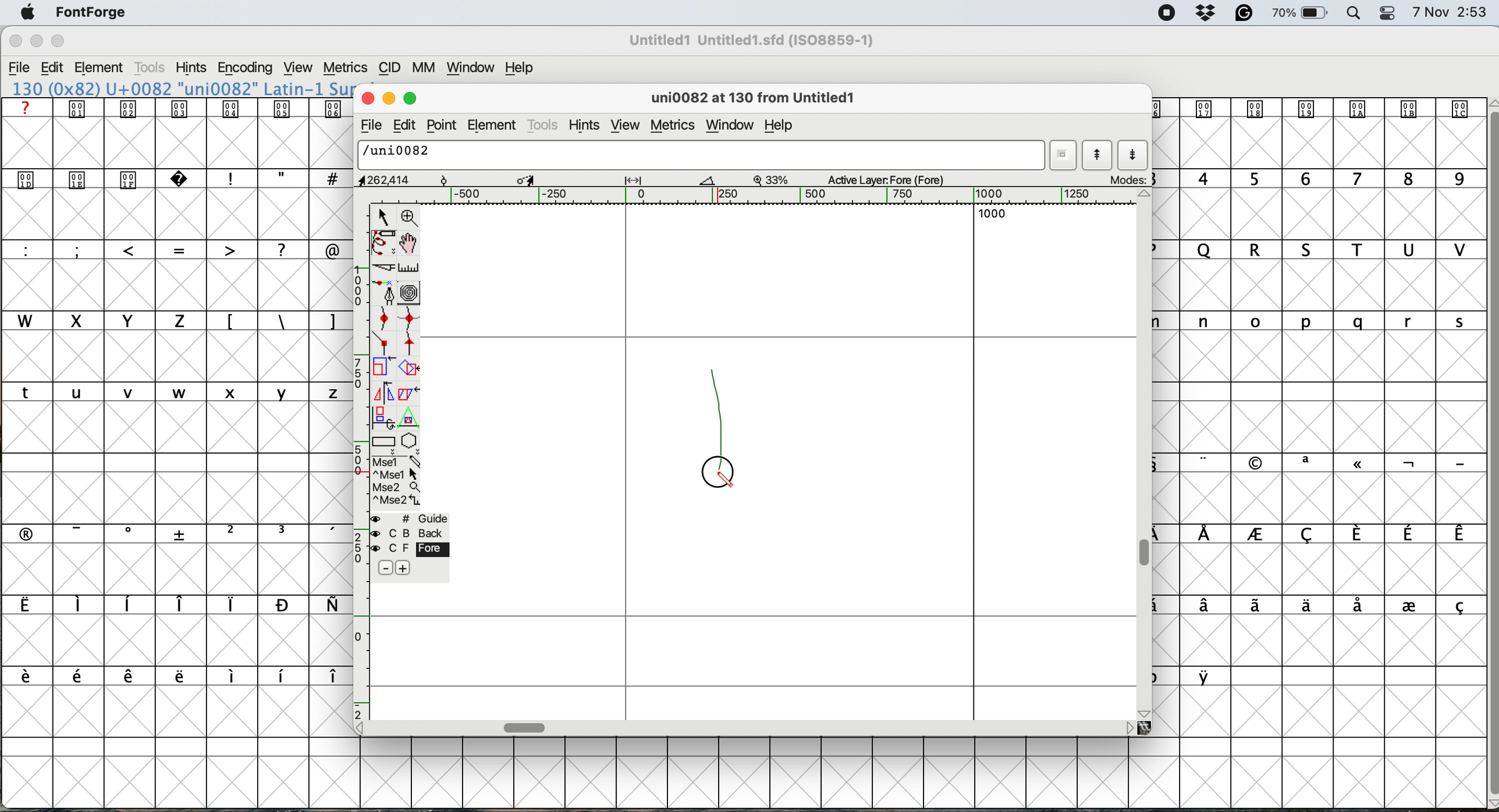 Image resolution: width=1499 pixels, height=812 pixels. Describe the element at coordinates (474, 69) in the screenshot. I see `window` at that location.